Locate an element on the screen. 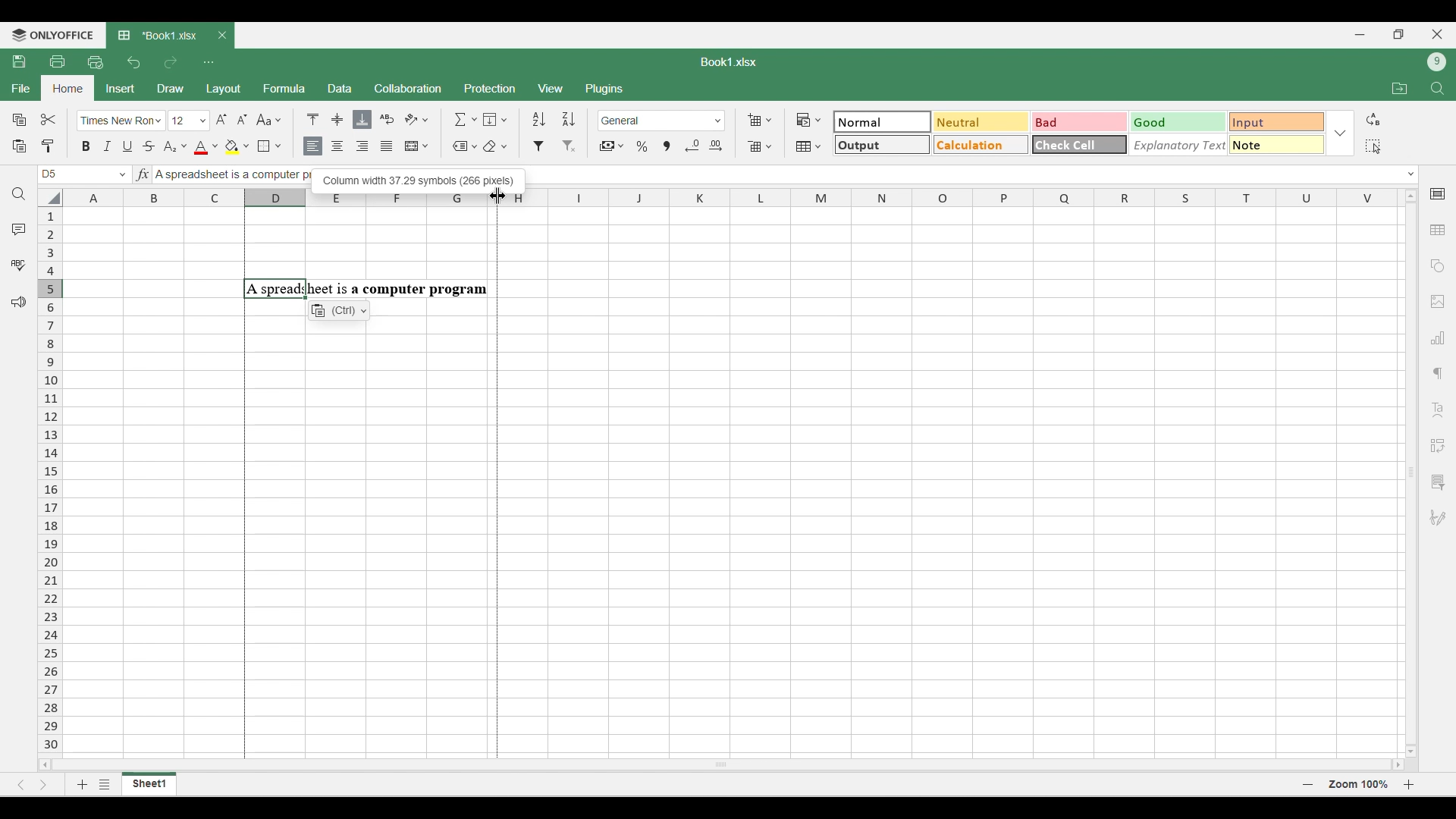  Insert table is located at coordinates (1439, 231).